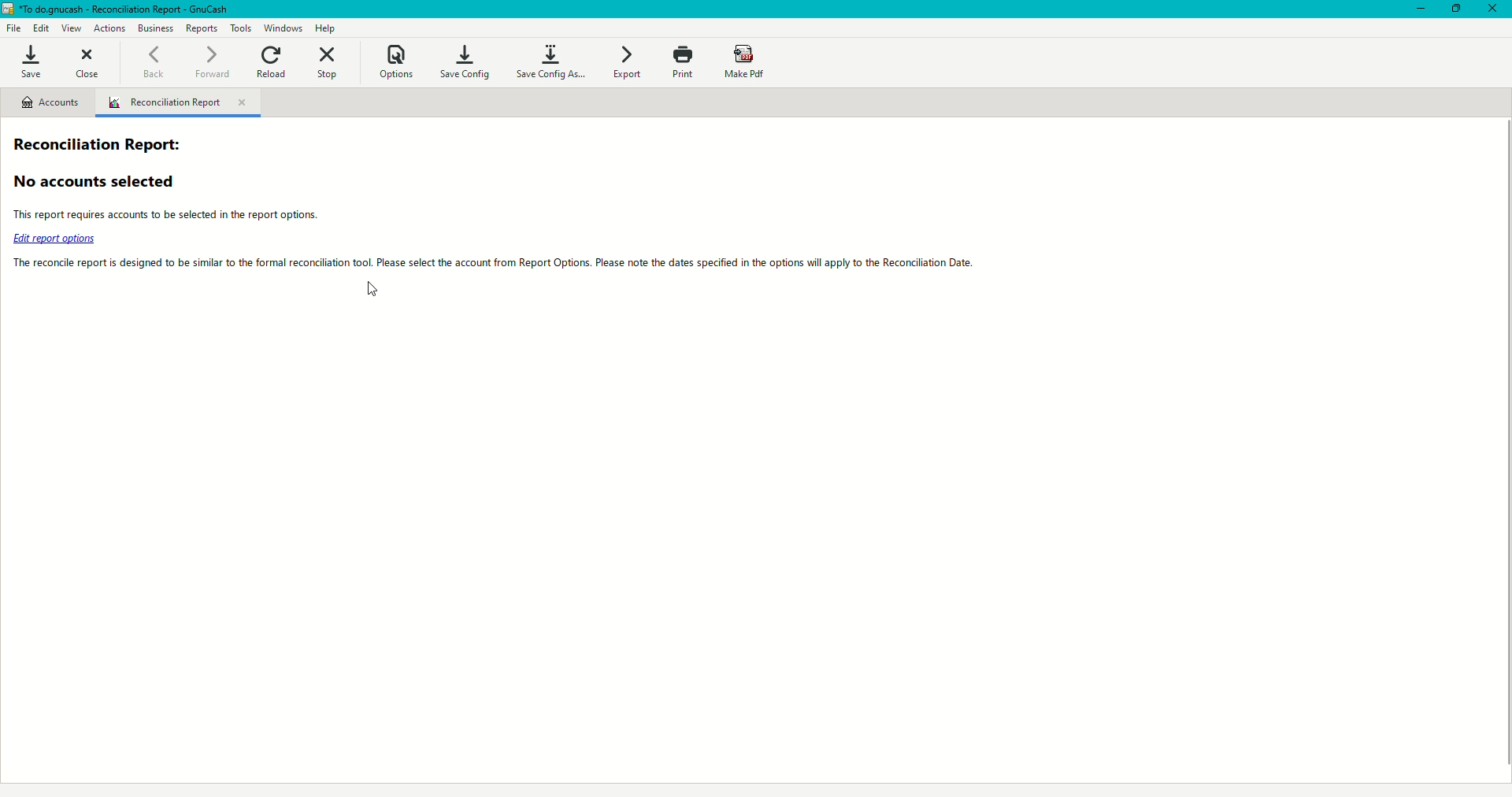 The width and height of the screenshot is (1512, 797). I want to click on Reconciliation Report , so click(103, 146).